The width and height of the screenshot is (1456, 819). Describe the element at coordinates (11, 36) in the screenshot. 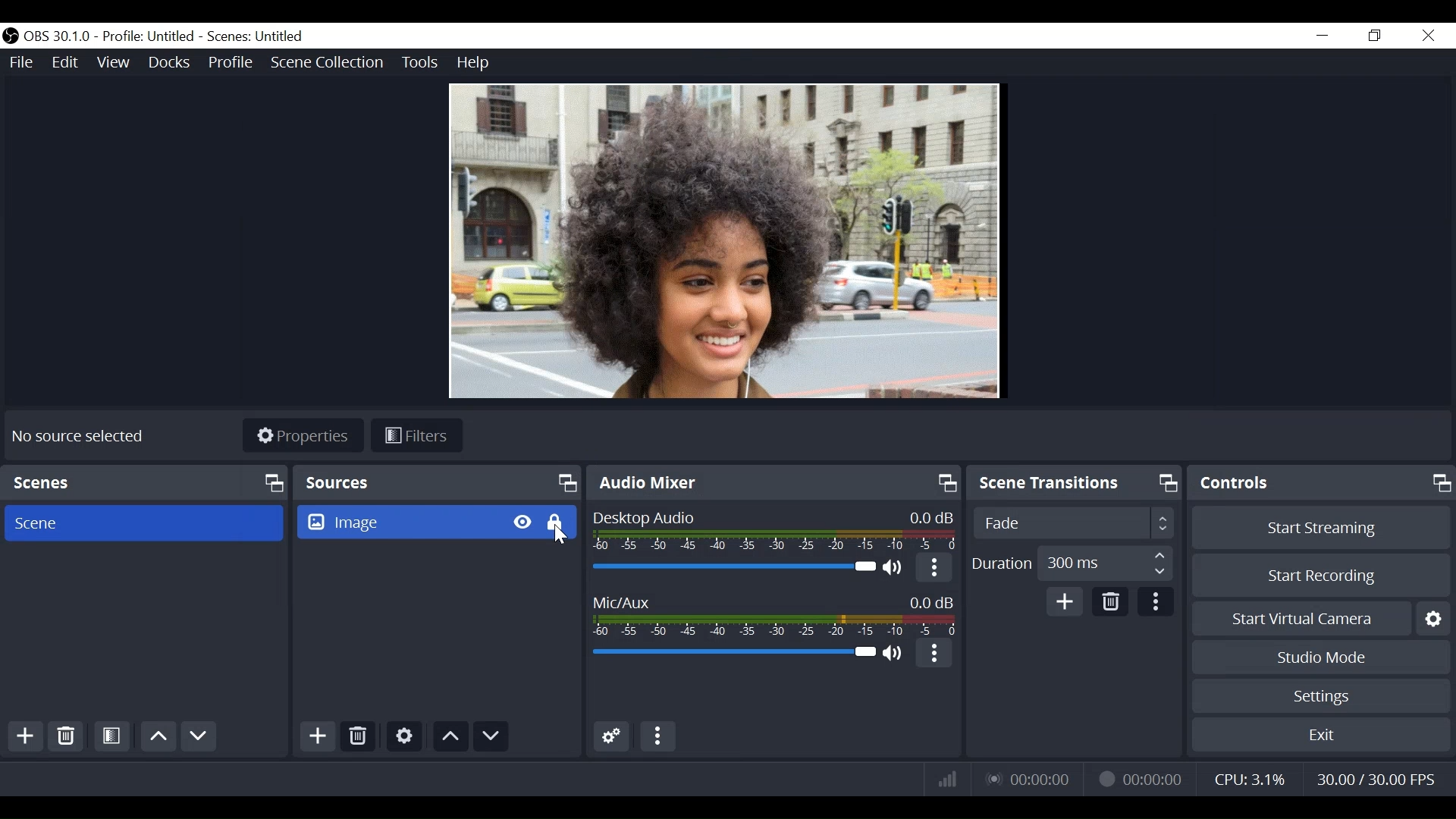

I see `OBS Studio Desktop Icon` at that location.